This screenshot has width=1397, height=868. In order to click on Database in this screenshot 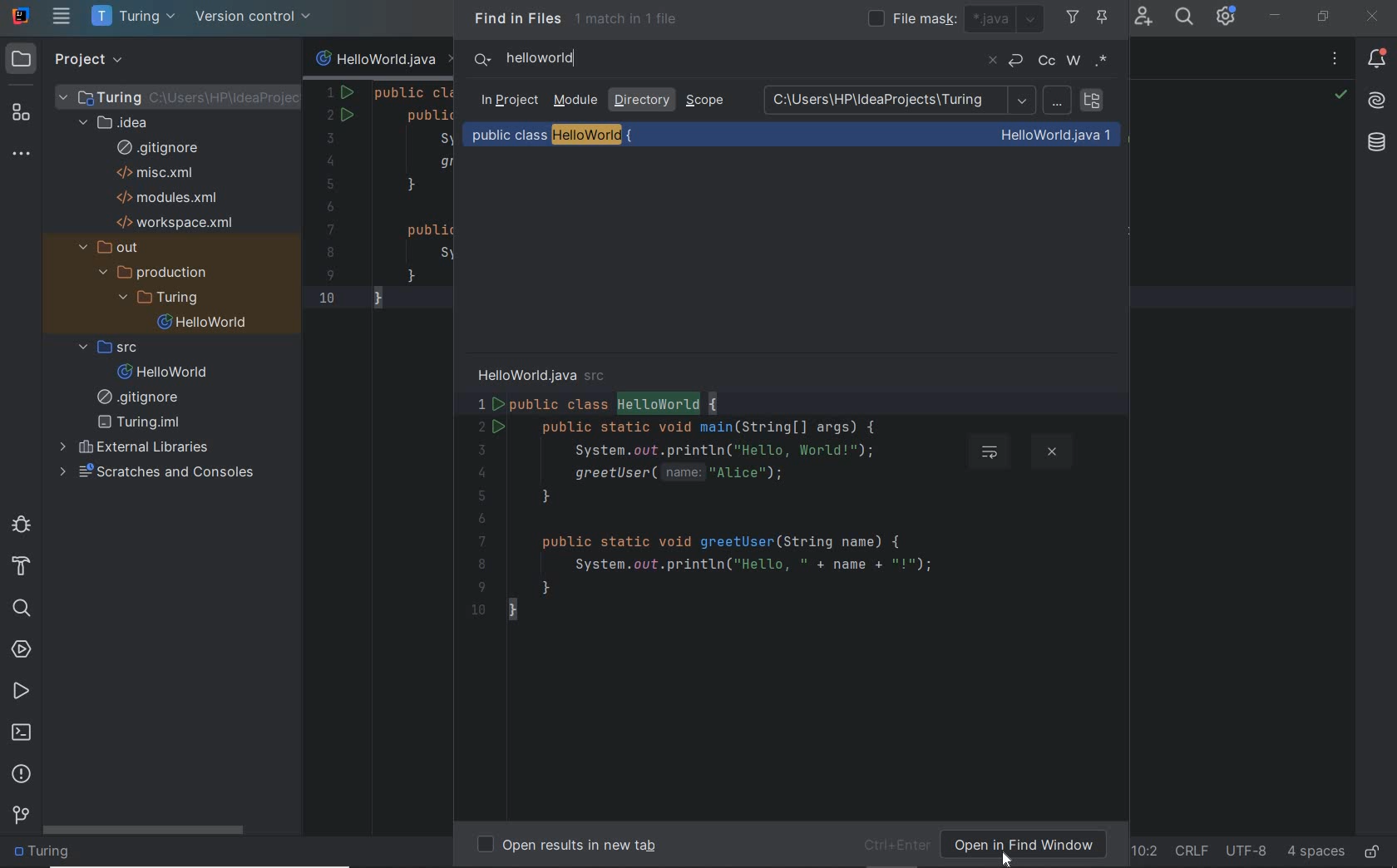, I will do `click(1378, 142)`.